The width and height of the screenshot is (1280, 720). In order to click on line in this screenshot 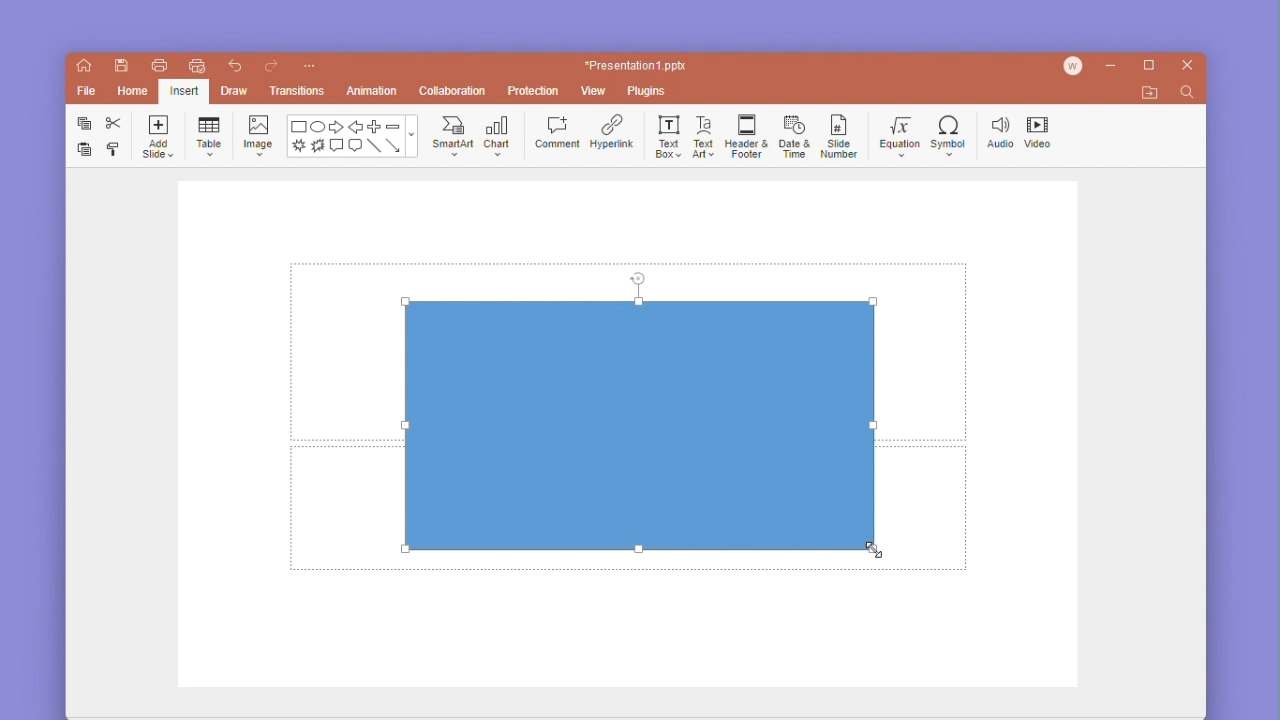, I will do `click(374, 147)`.